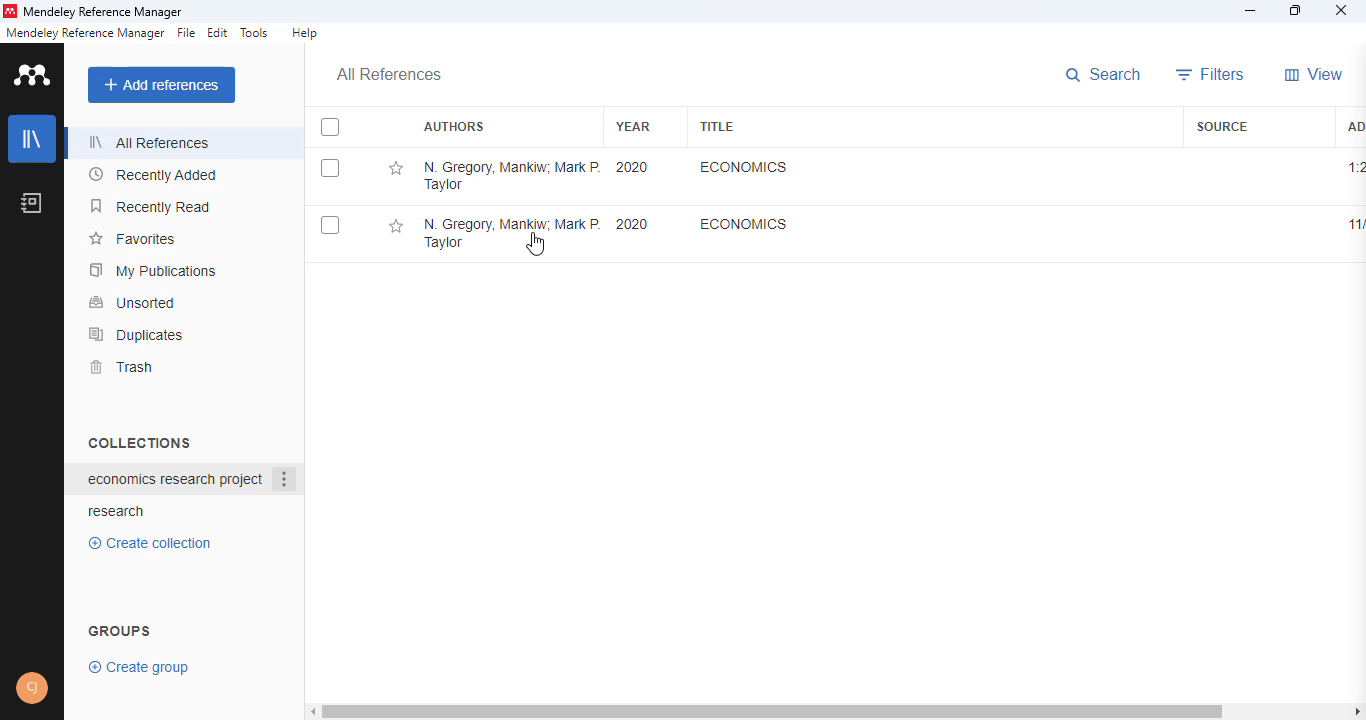 Image resolution: width=1366 pixels, height=720 pixels. I want to click on N. Gregory Mankiw, Mark P. Taylor, so click(510, 235).